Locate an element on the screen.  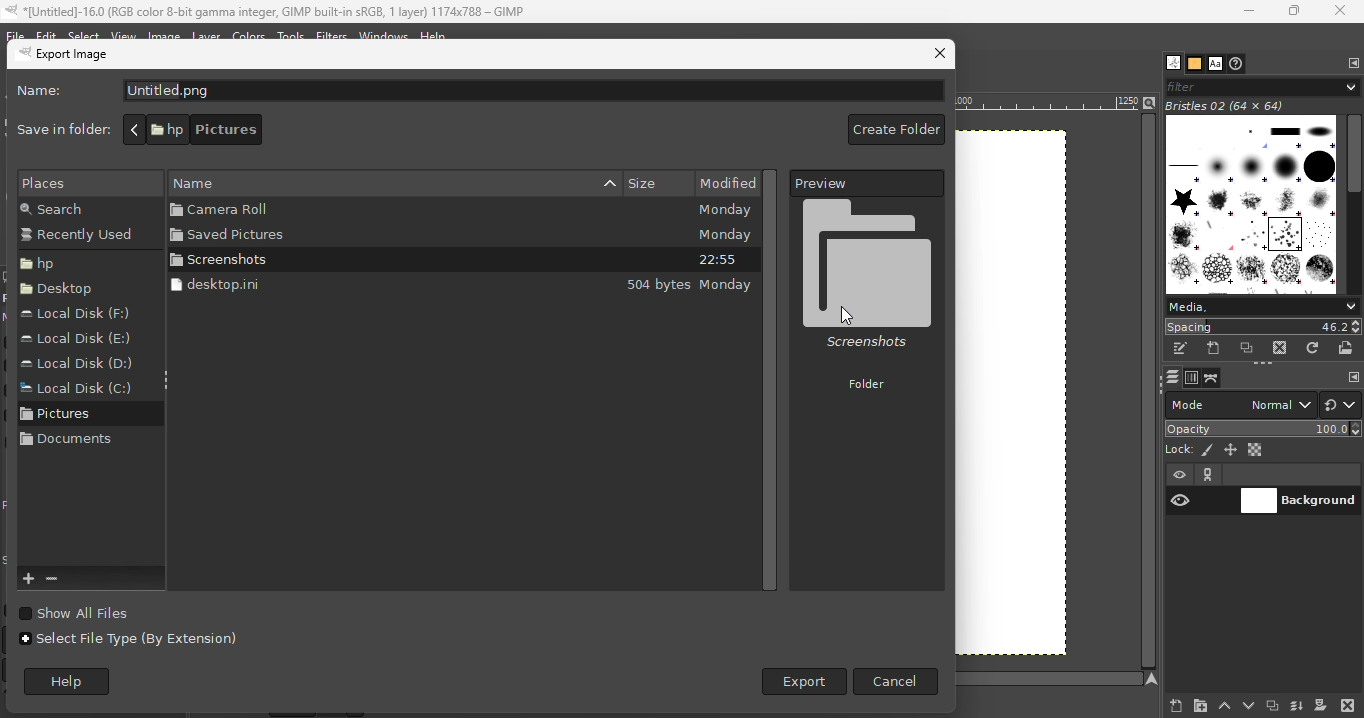
Horizontal scroll bar is located at coordinates (1355, 205).